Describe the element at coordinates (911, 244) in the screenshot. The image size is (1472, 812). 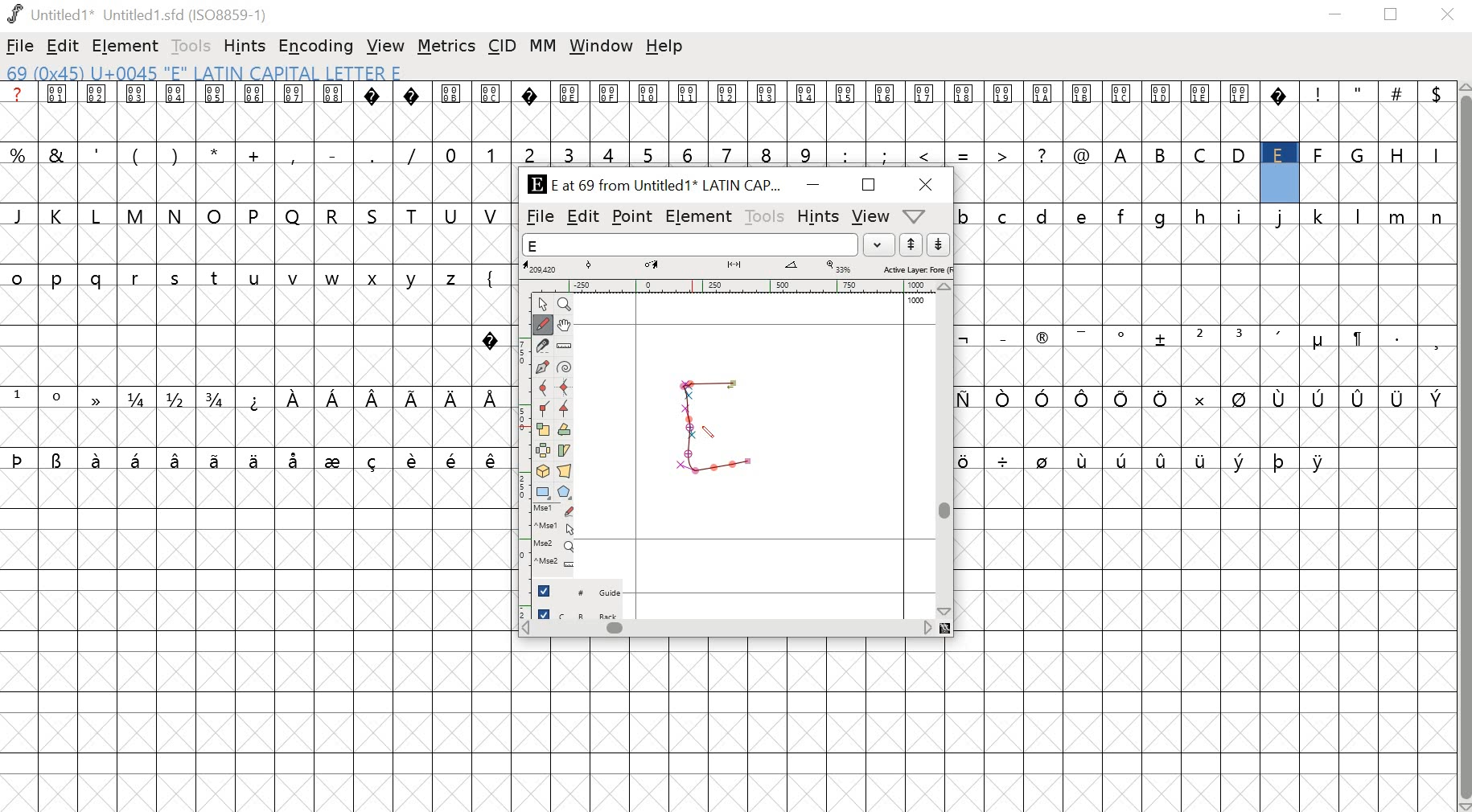
I see `up` at that location.